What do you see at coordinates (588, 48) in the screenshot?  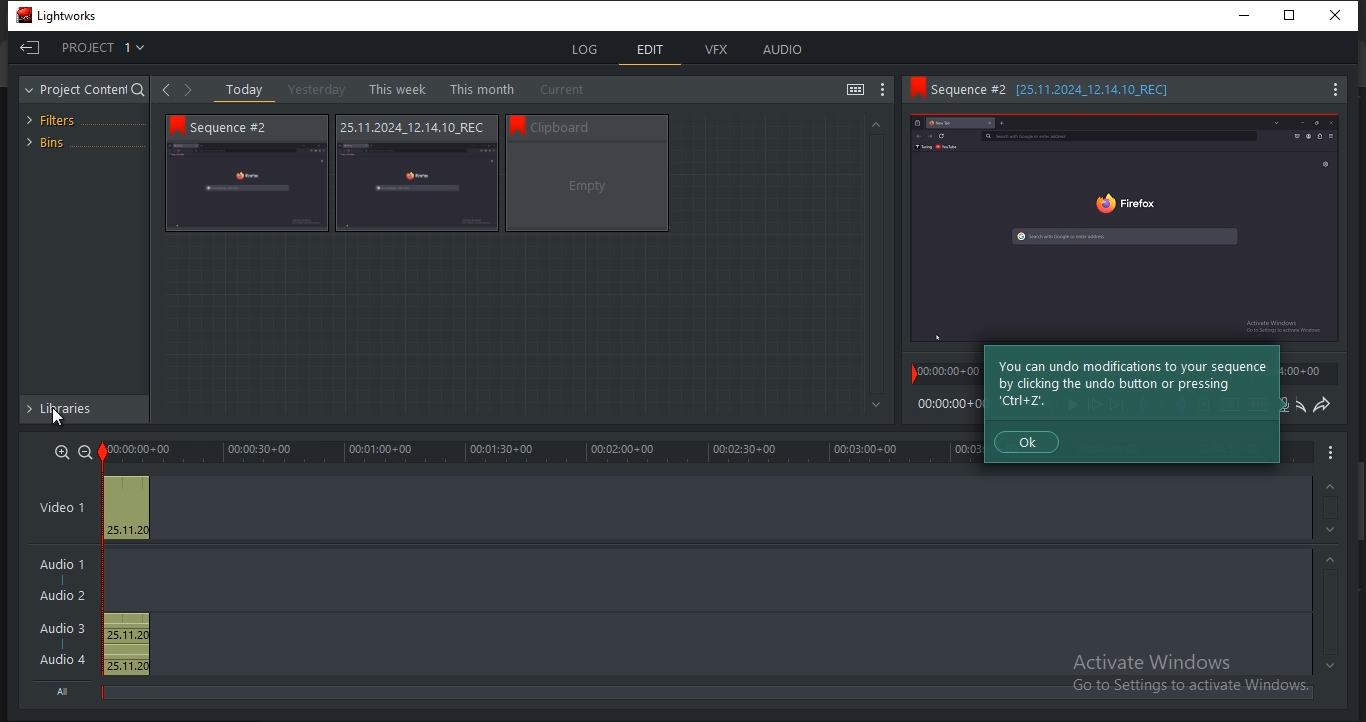 I see `log` at bounding box center [588, 48].